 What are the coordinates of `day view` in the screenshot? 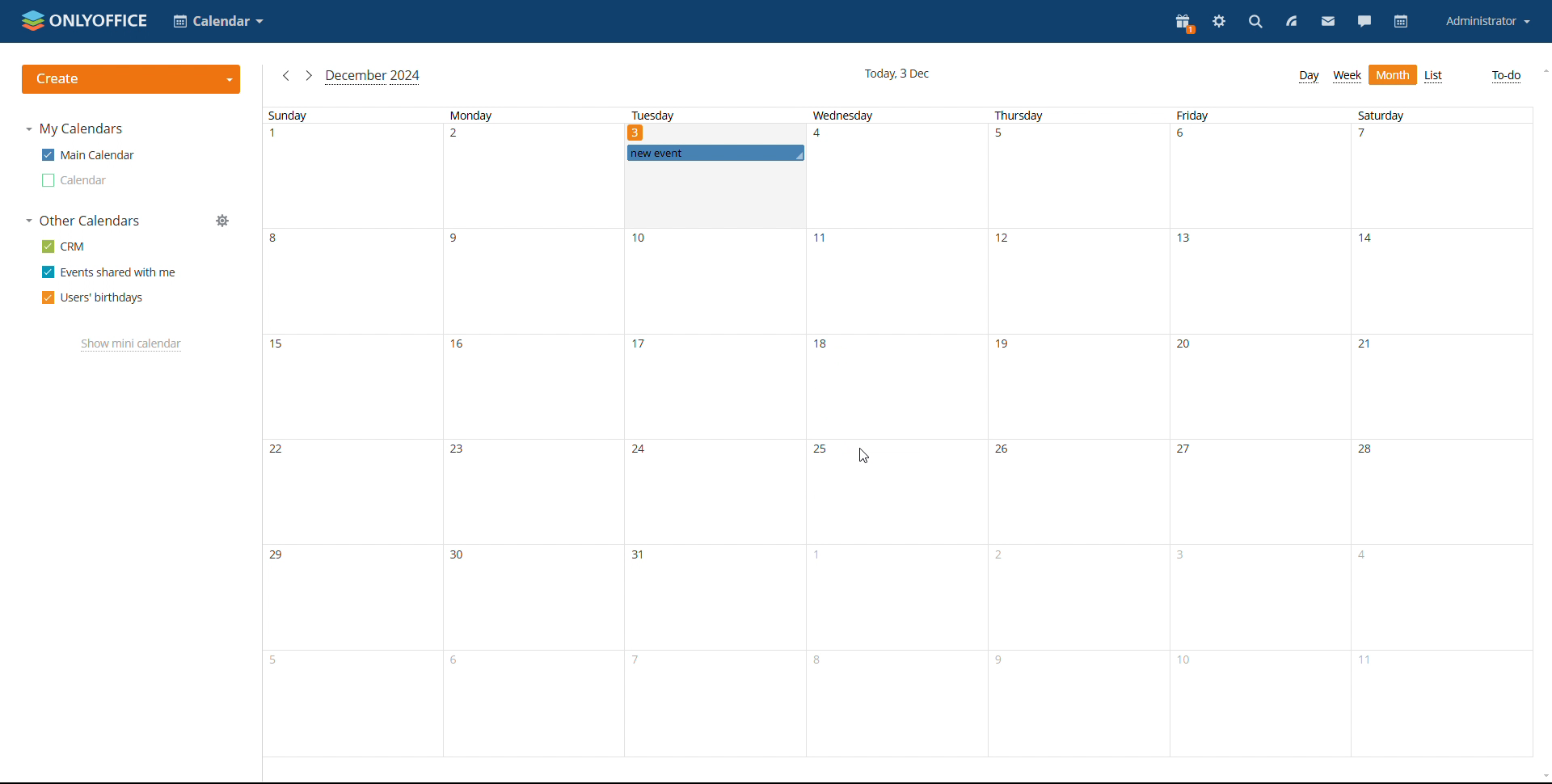 It's located at (1308, 76).